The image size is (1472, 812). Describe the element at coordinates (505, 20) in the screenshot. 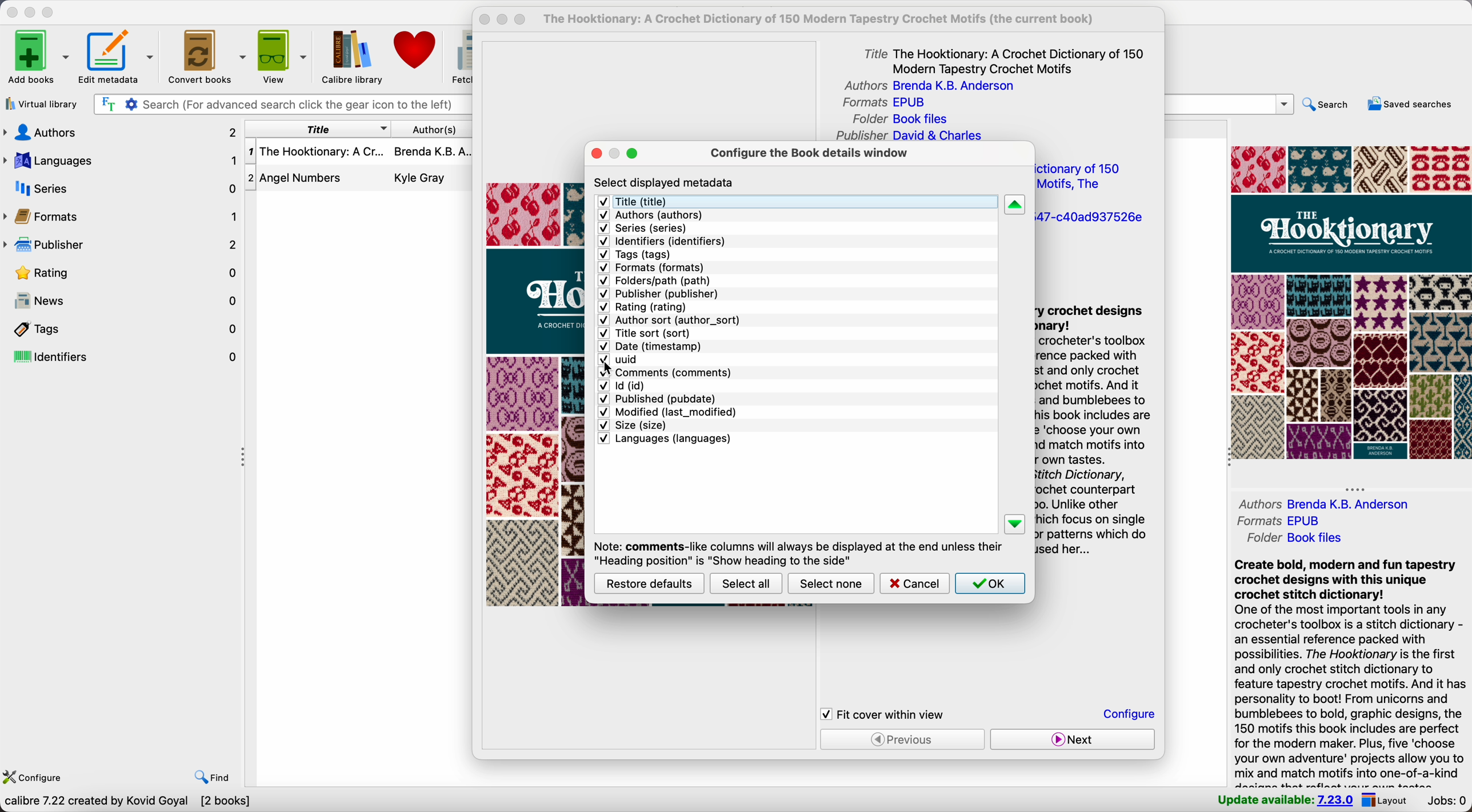

I see `disable minimize popup` at that location.